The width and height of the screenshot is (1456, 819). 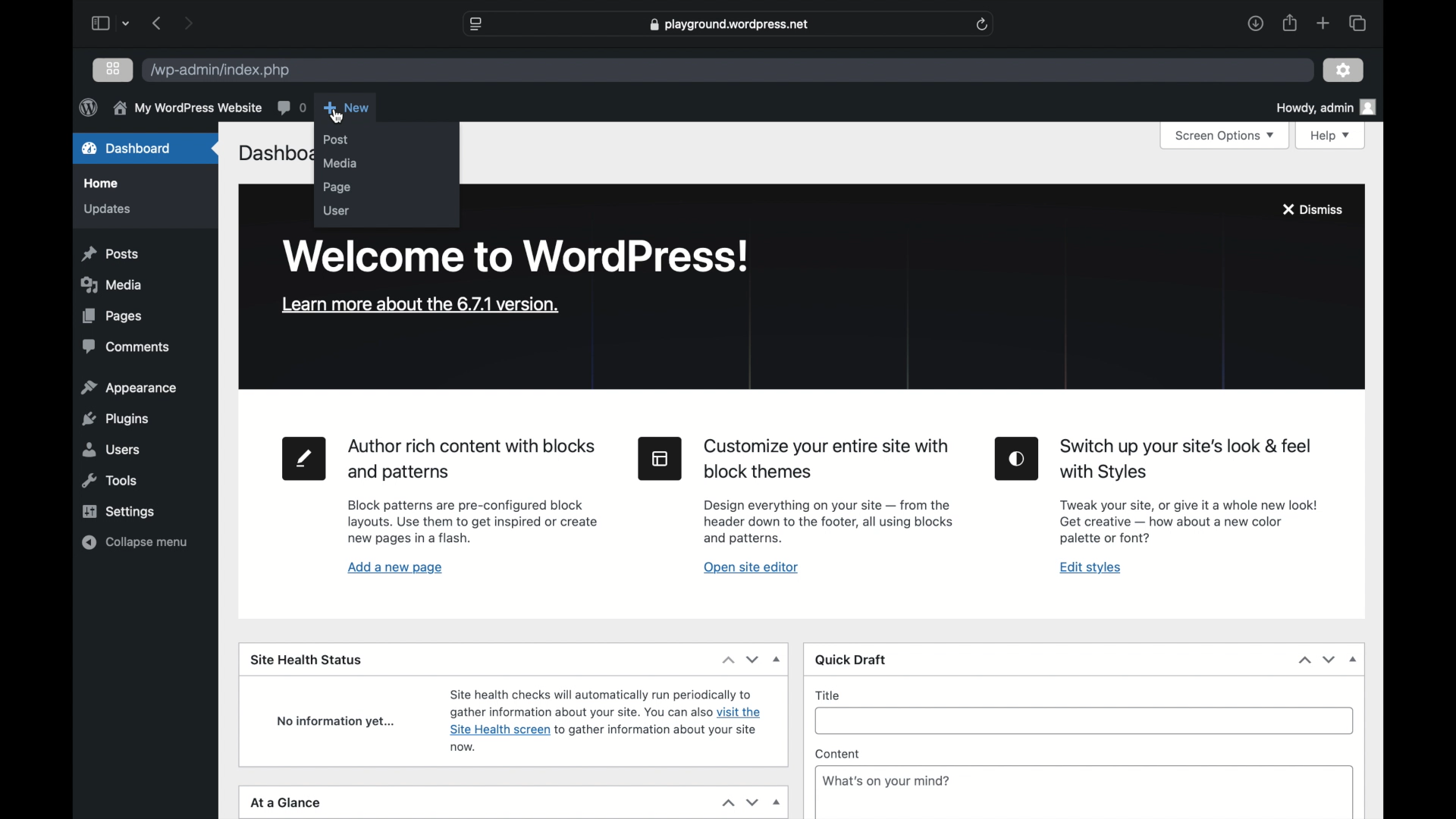 What do you see at coordinates (335, 140) in the screenshot?
I see `post` at bounding box center [335, 140].